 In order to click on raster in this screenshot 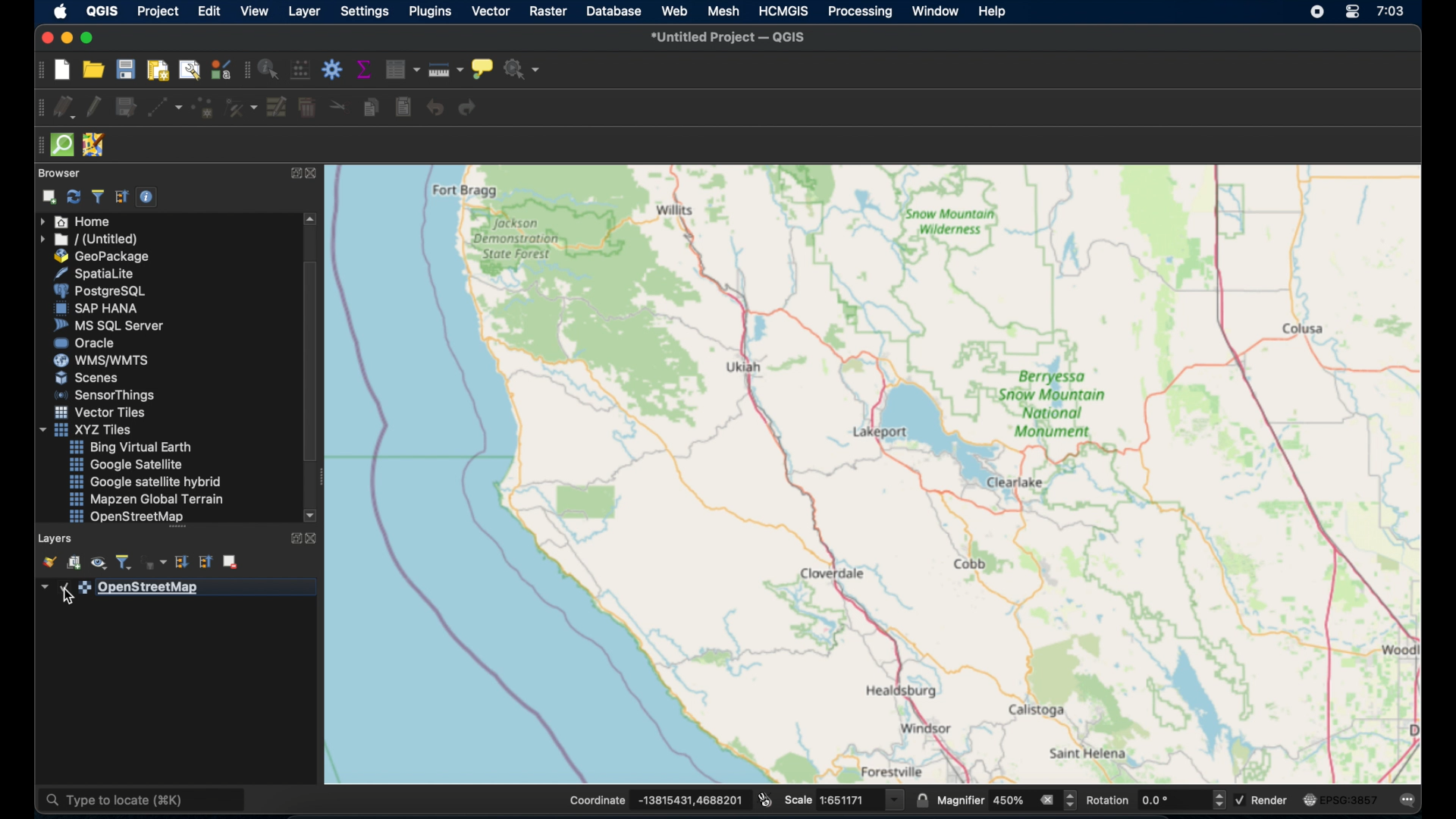, I will do `click(547, 11)`.